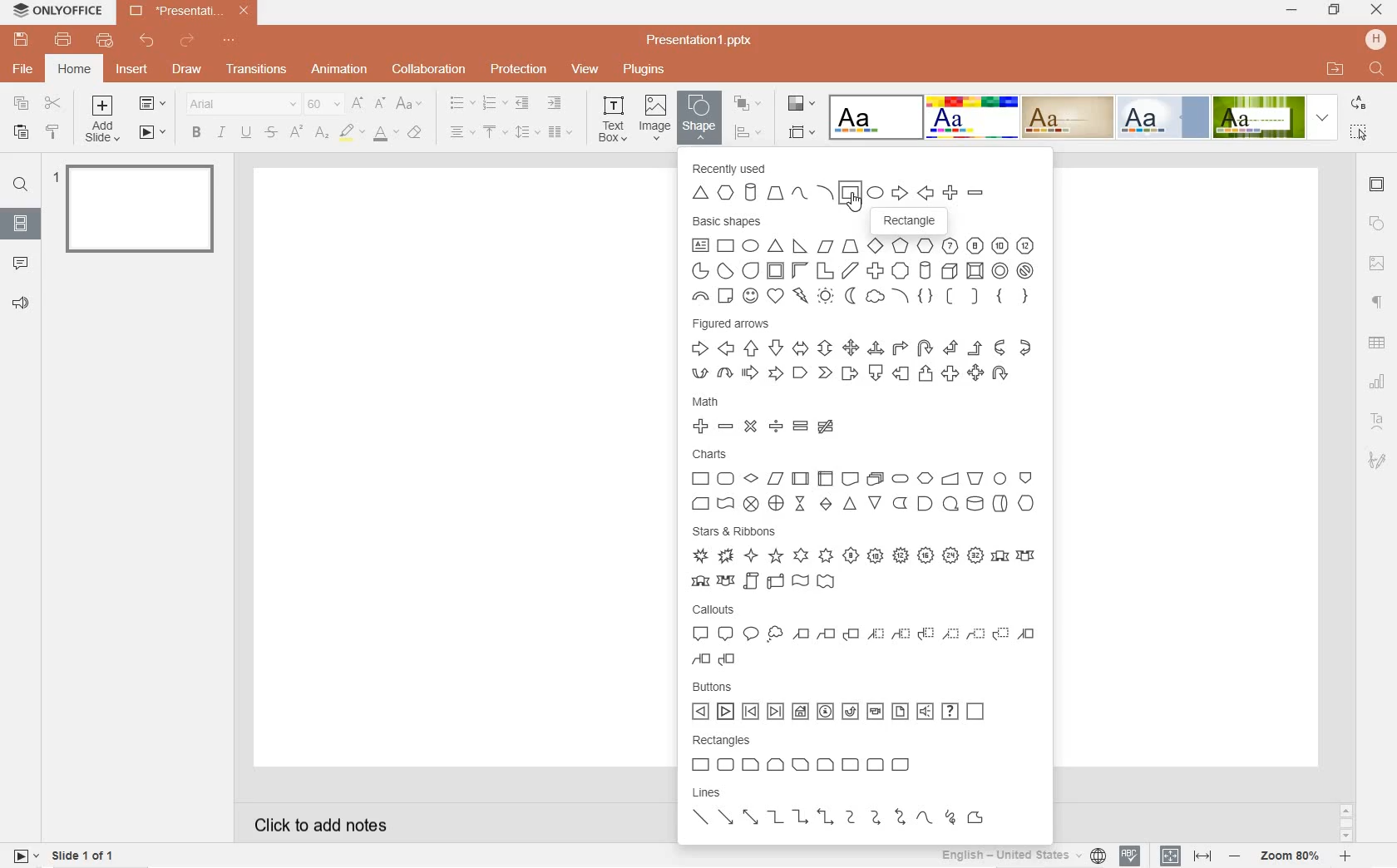  Describe the element at coordinates (296, 133) in the screenshot. I see `superscript` at that location.